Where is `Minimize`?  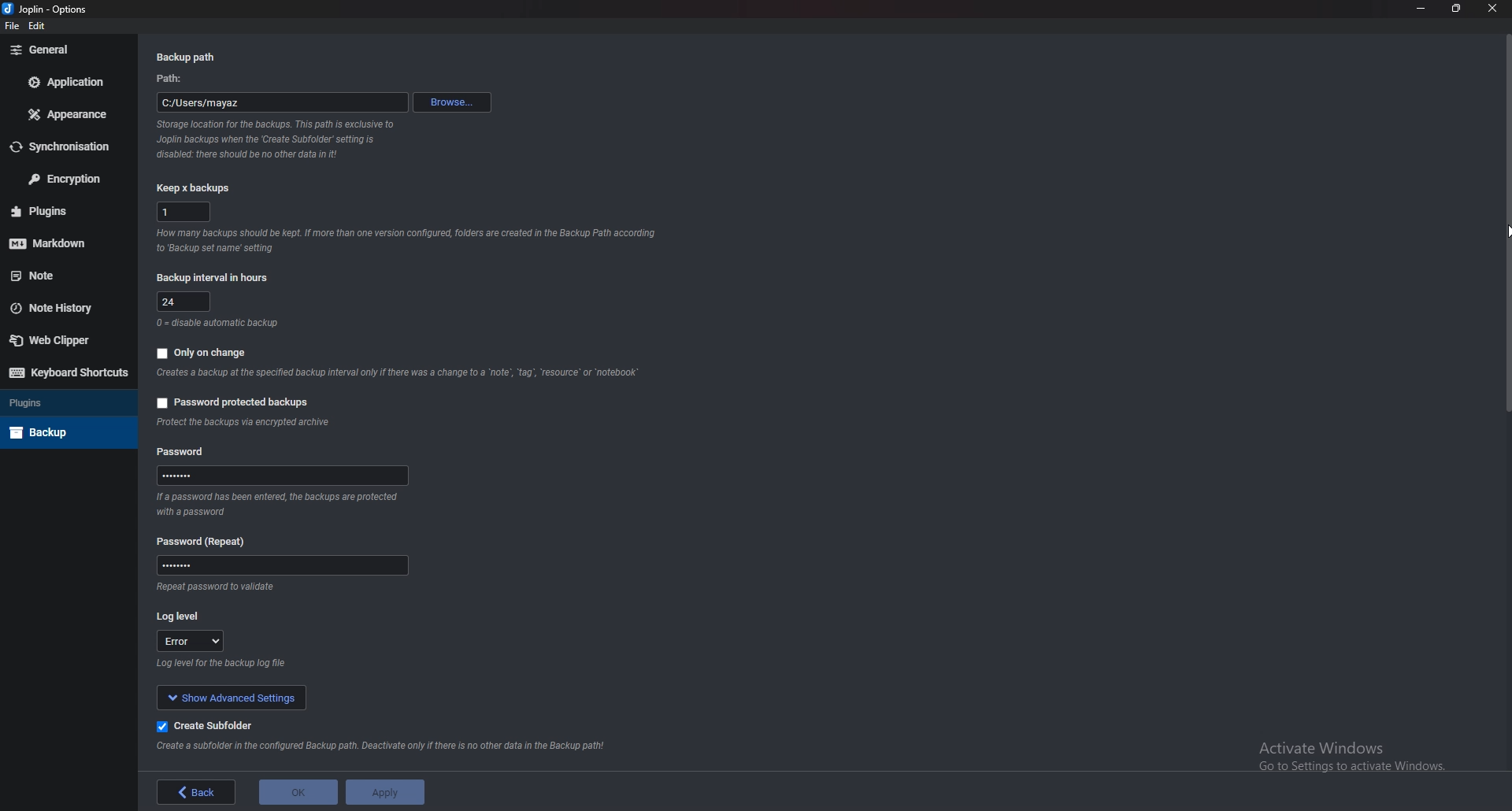
Minimize is located at coordinates (1423, 8).